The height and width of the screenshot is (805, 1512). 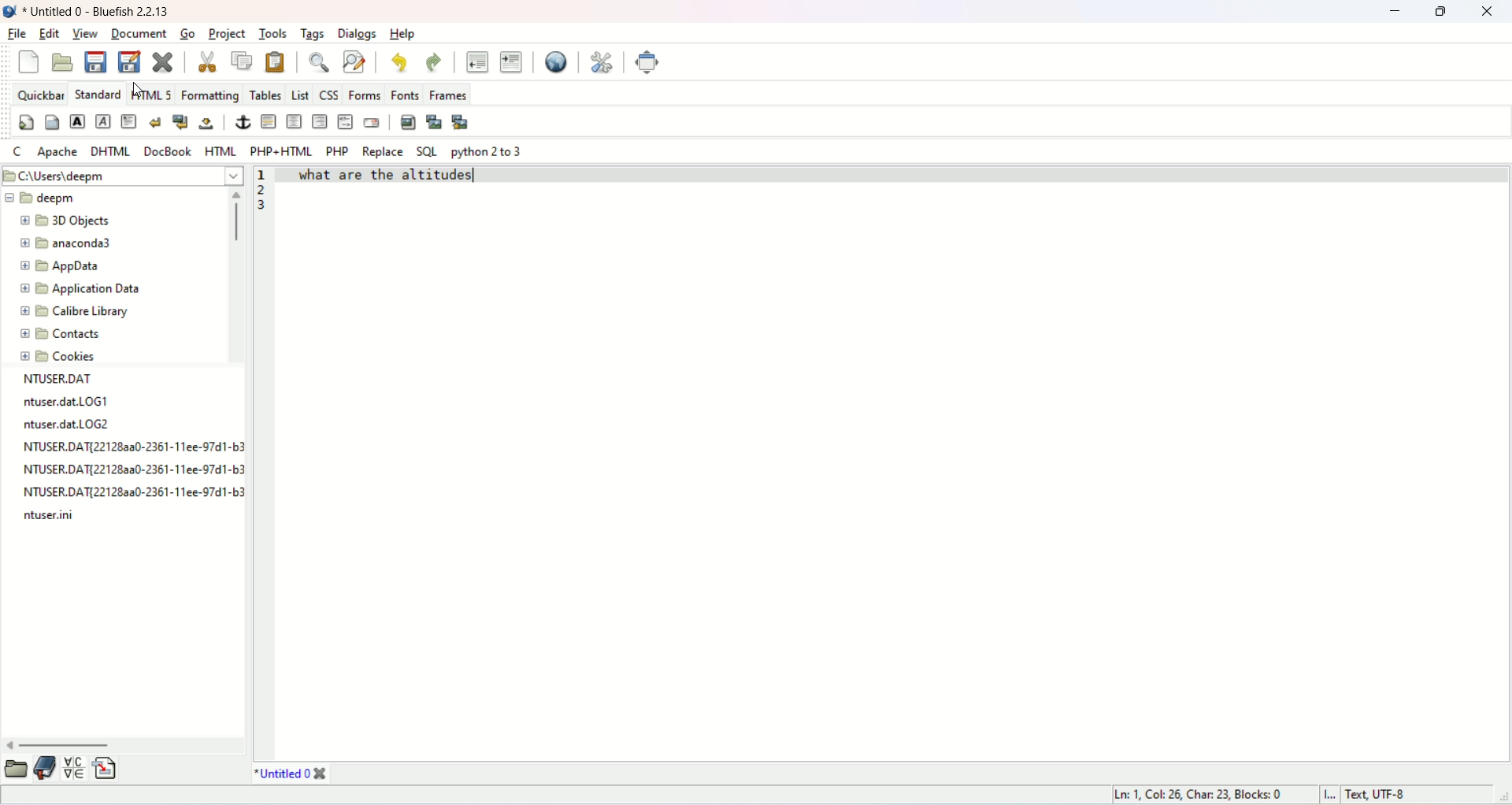 What do you see at coordinates (107, 767) in the screenshot?
I see `insert file` at bounding box center [107, 767].